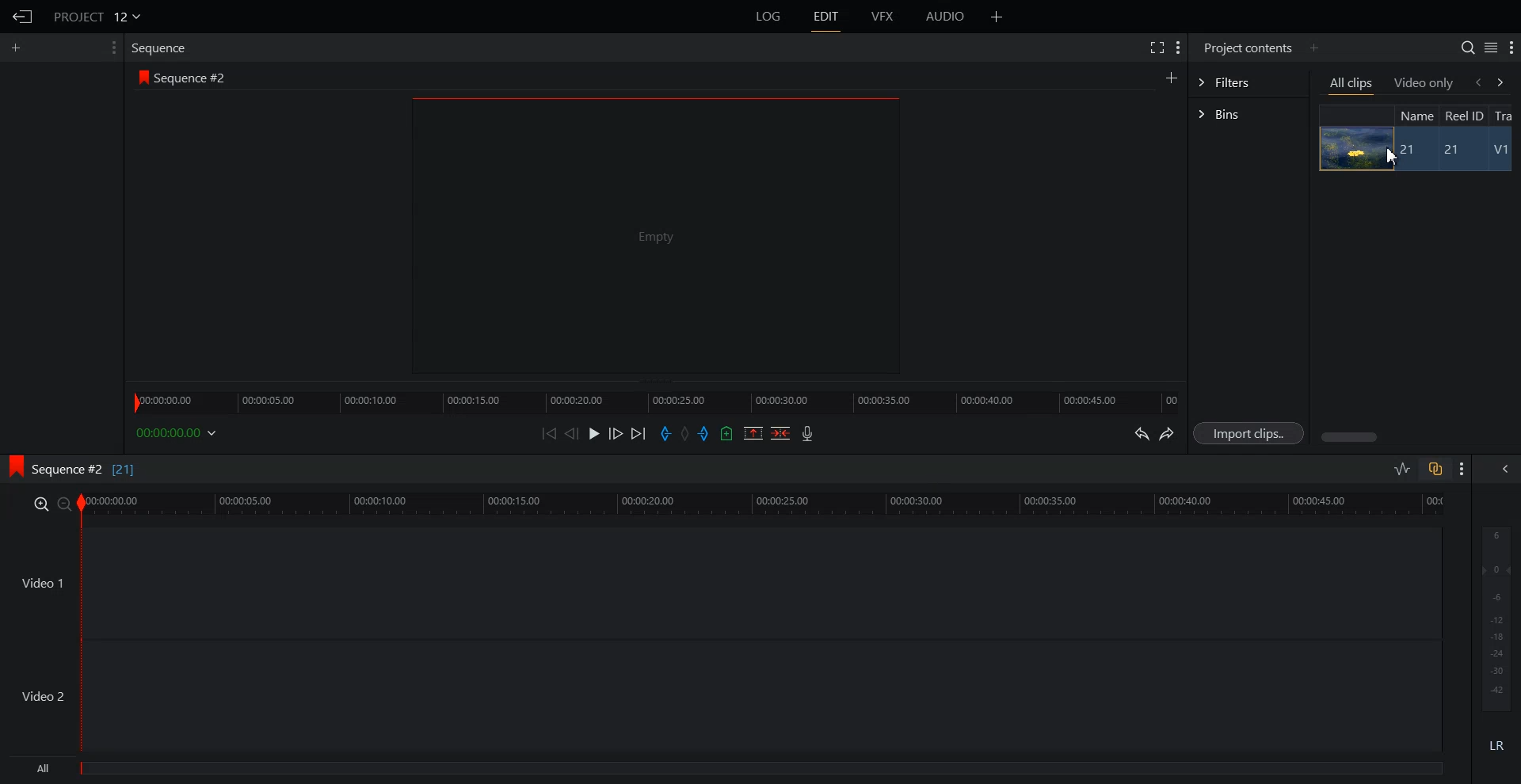 This screenshot has height=784, width=1521. Describe the element at coordinates (1351, 437) in the screenshot. I see `Horizontal scroll bar` at that location.